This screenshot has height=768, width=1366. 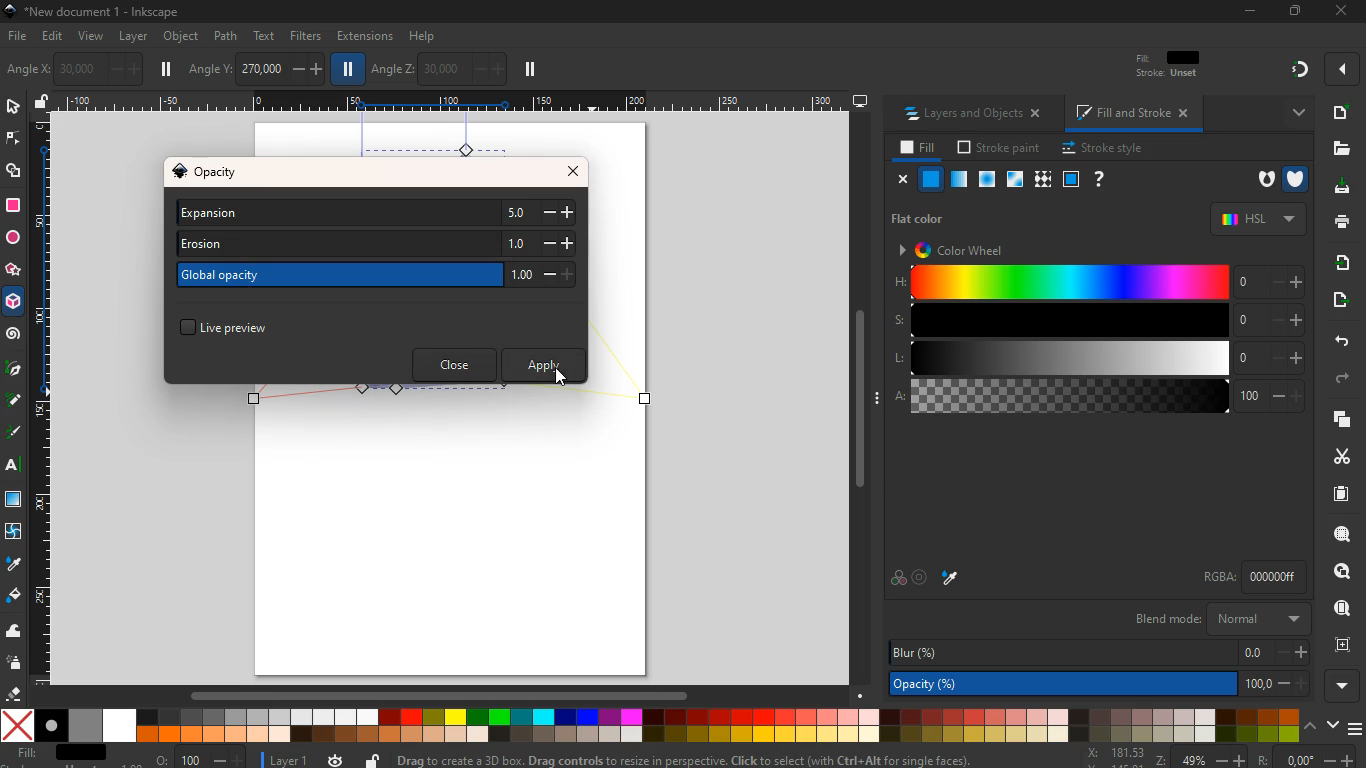 I want to click on circle, so click(x=12, y=237).